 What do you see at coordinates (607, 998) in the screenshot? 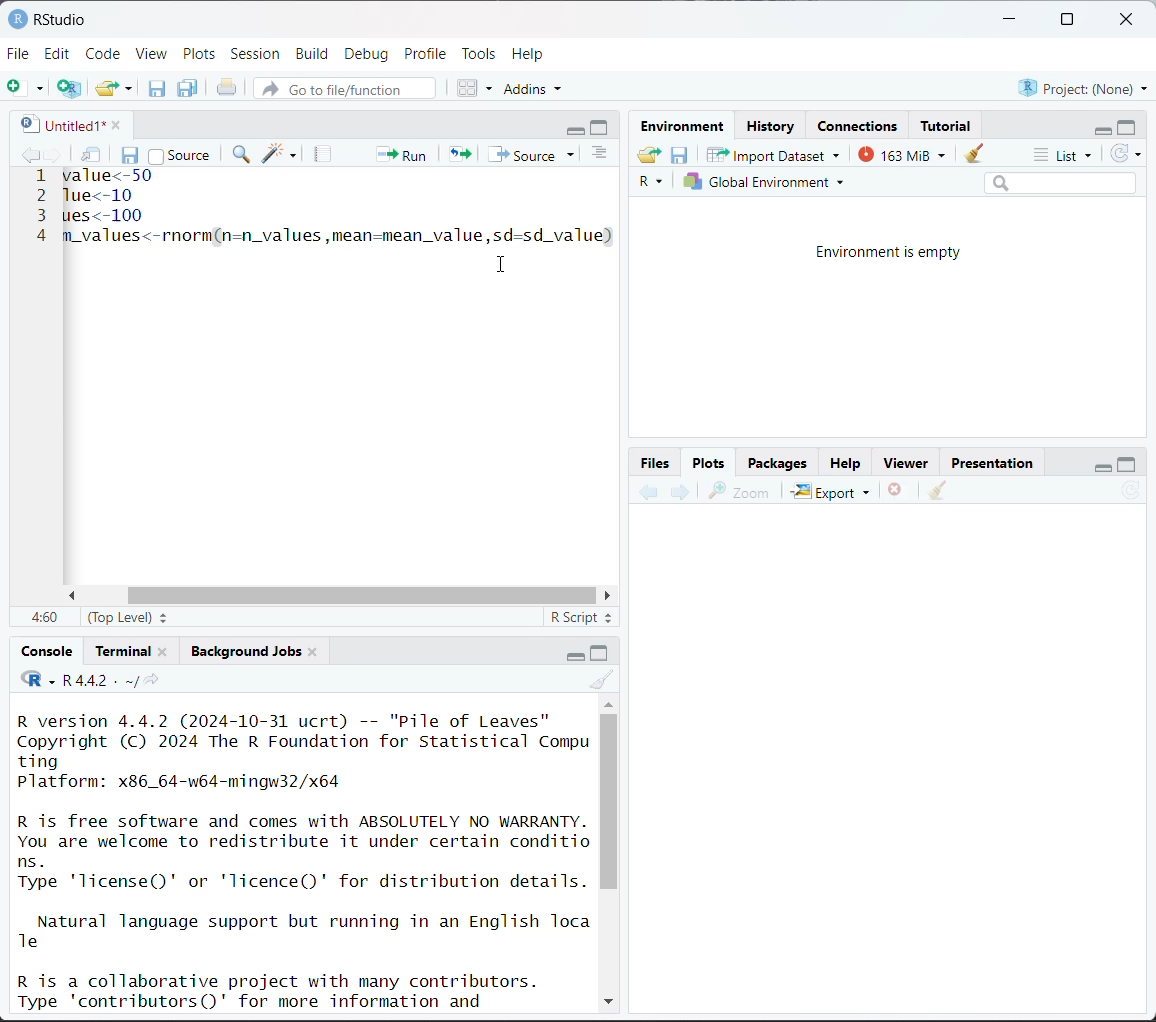
I see `down` at bounding box center [607, 998].